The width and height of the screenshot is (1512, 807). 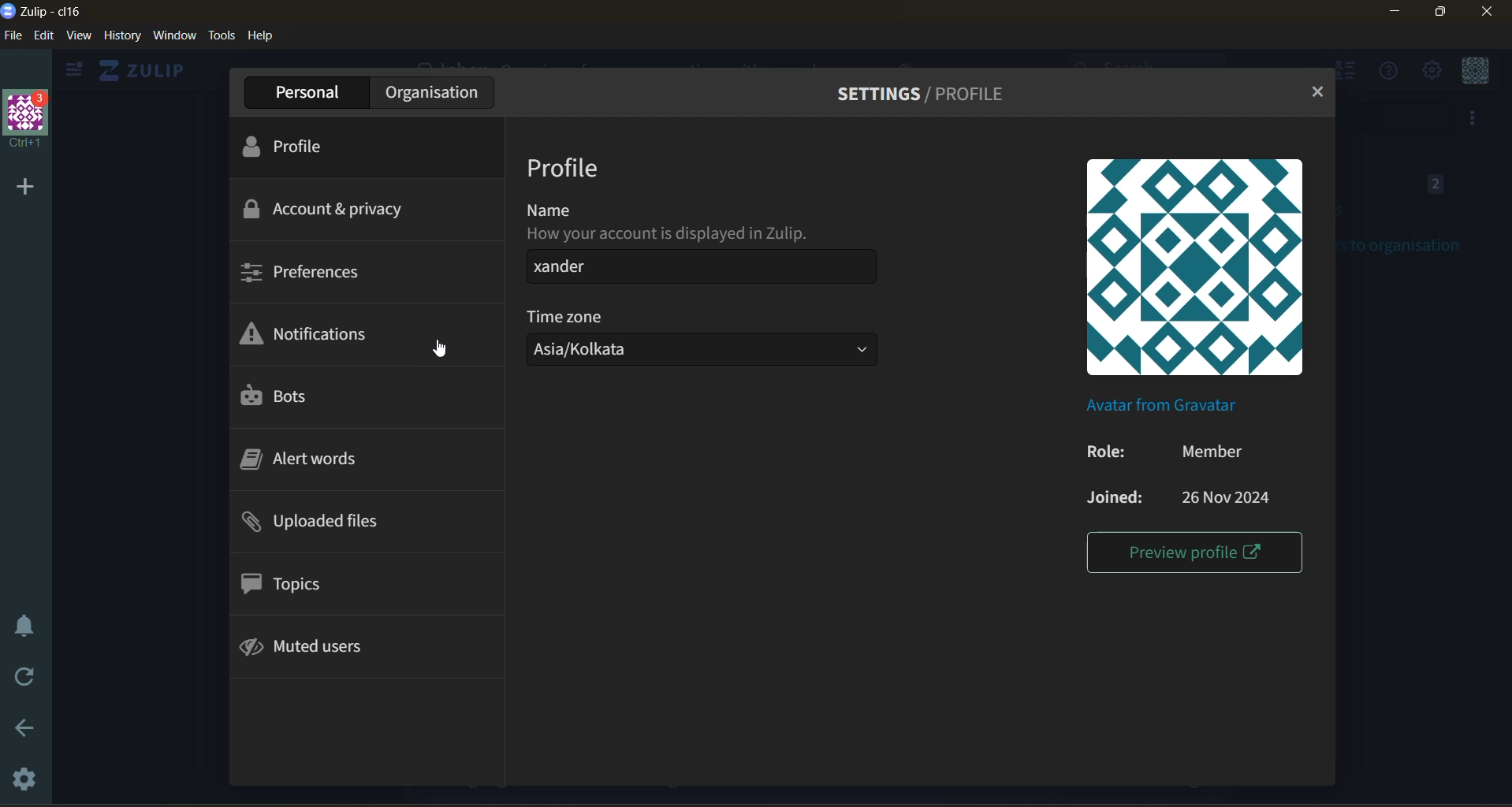 What do you see at coordinates (698, 267) in the screenshot?
I see `name` at bounding box center [698, 267].